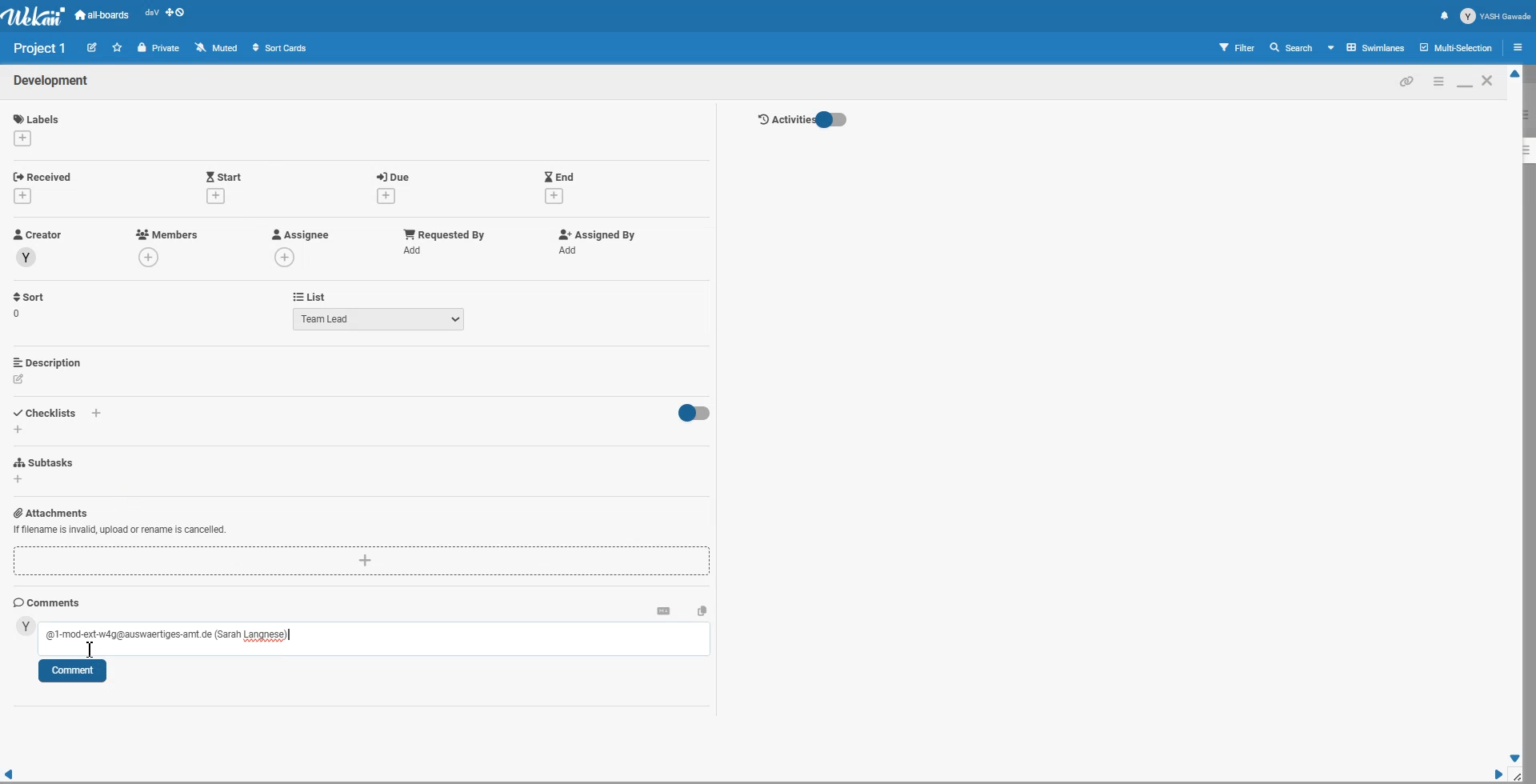 This screenshot has width=1536, height=784. What do you see at coordinates (1521, 46) in the screenshot?
I see `Open sidebar` at bounding box center [1521, 46].